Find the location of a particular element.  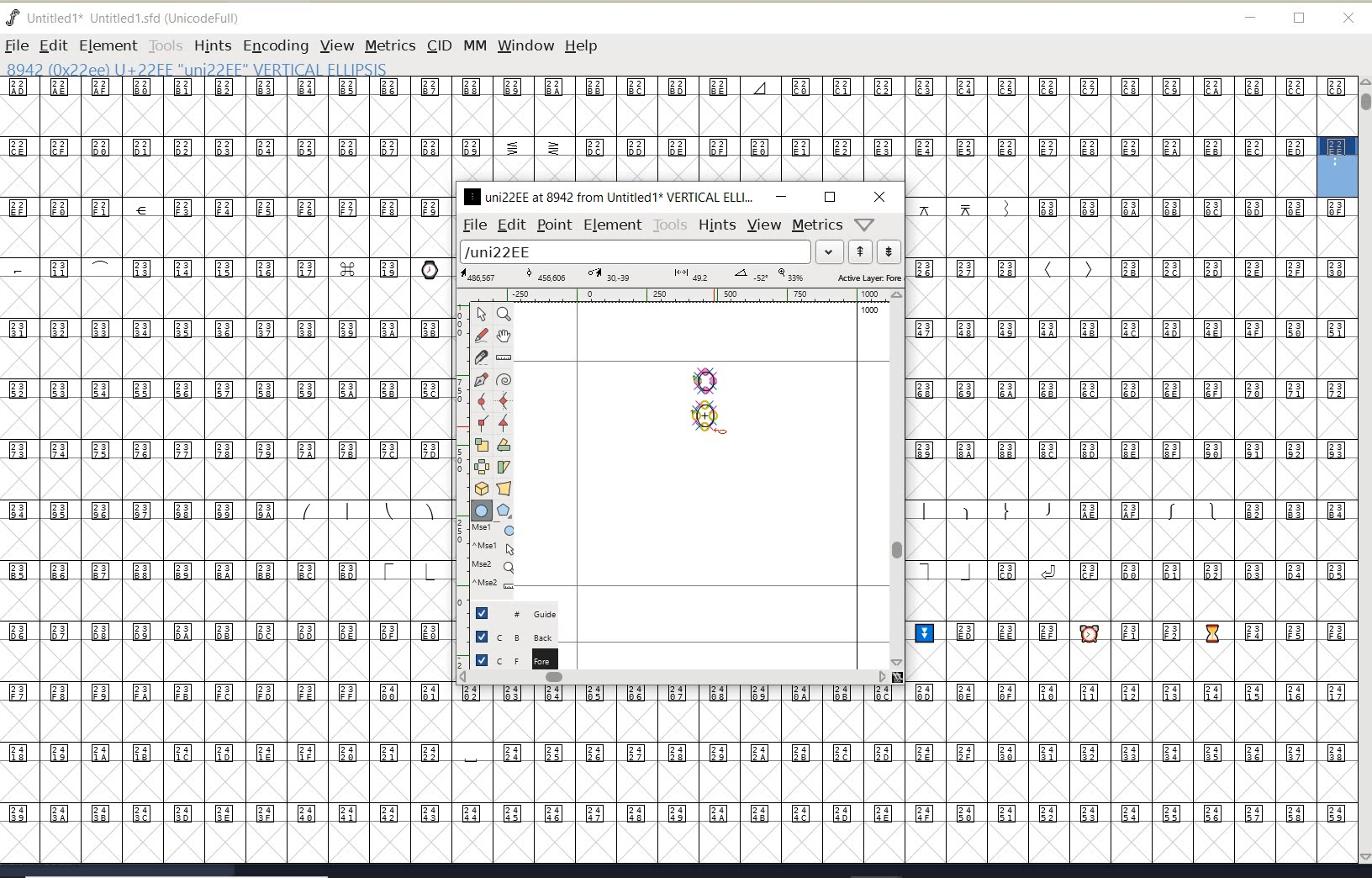

ellipse tool is located at coordinates (725, 433).